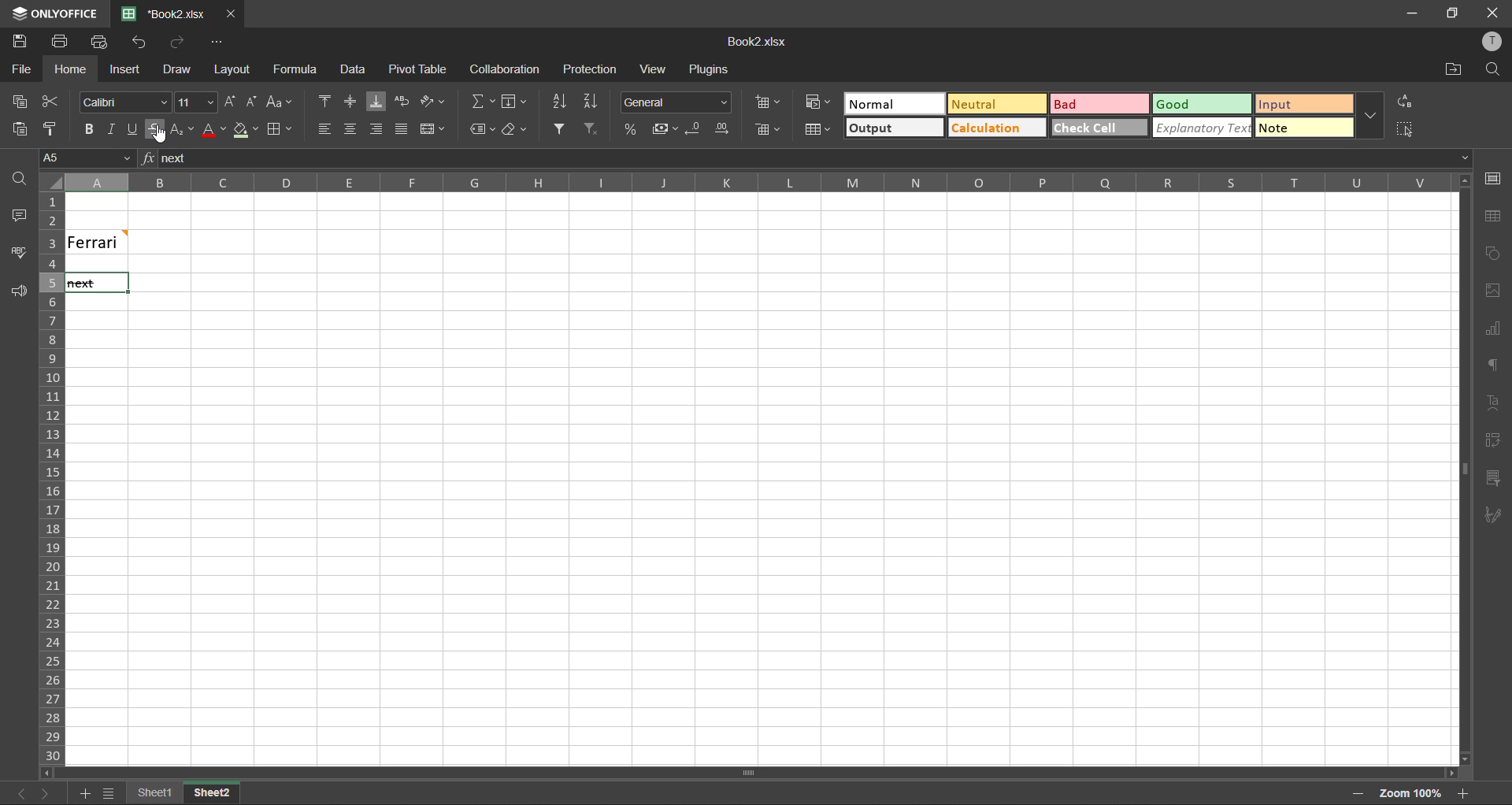 Image resolution: width=1512 pixels, height=805 pixels. What do you see at coordinates (1203, 129) in the screenshot?
I see `explanatory text` at bounding box center [1203, 129].